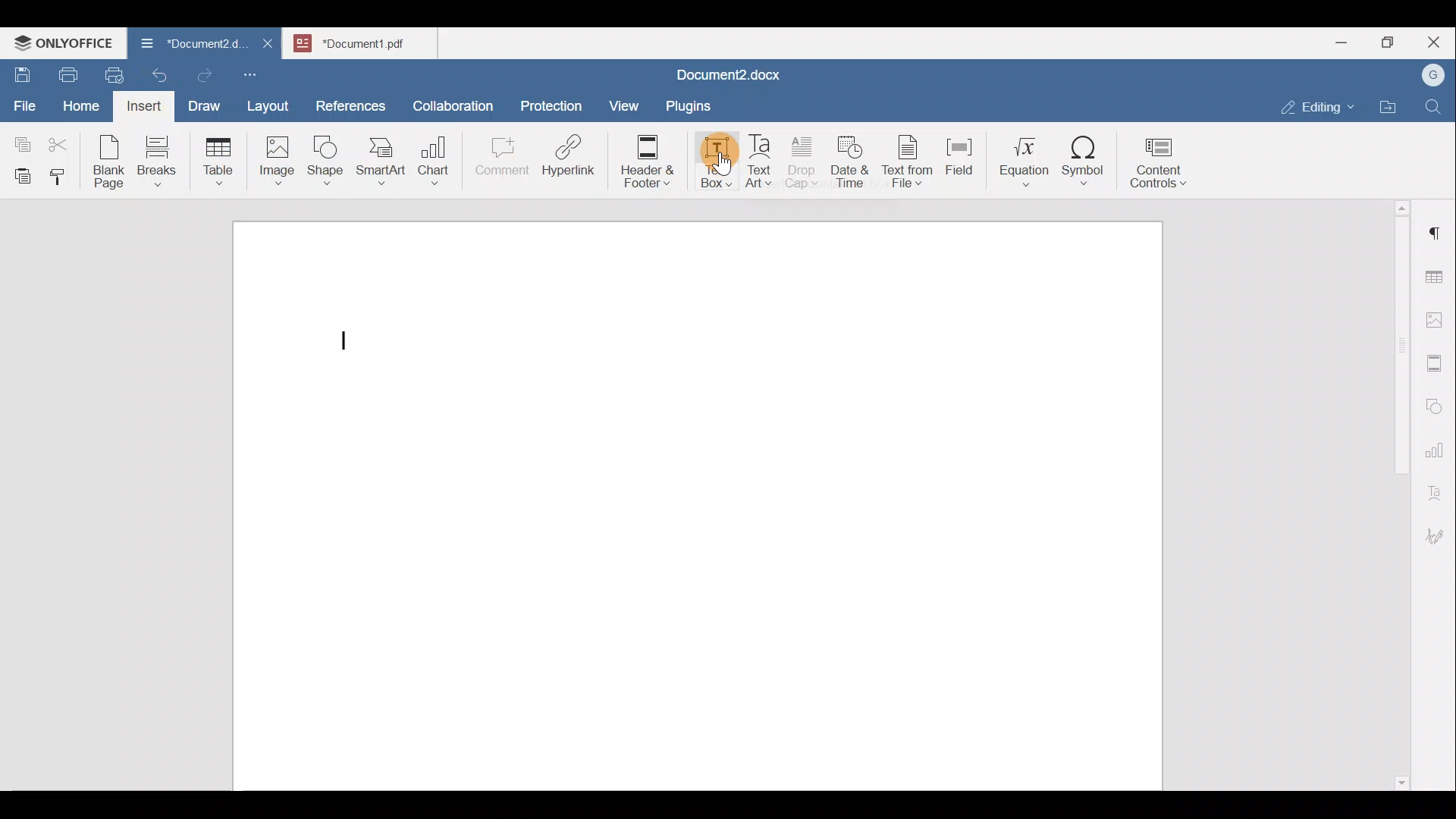 The height and width of the screenshot is (819, 1456). Describe the element at coordinates (1438, 444) in the screenshot. I see `Chart settings` at that location.